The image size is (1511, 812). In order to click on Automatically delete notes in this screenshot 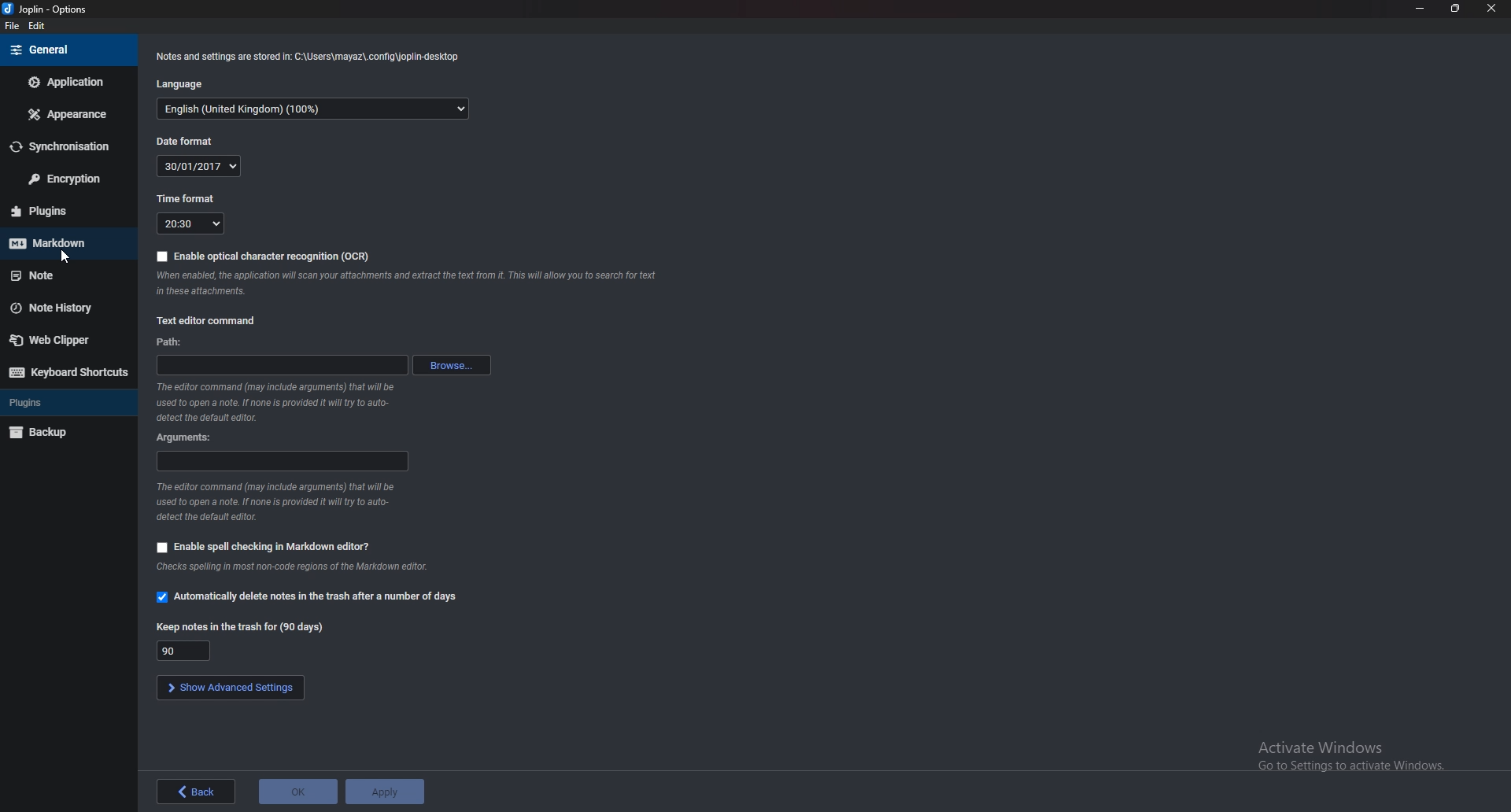, I will do `click(316, 598)`.